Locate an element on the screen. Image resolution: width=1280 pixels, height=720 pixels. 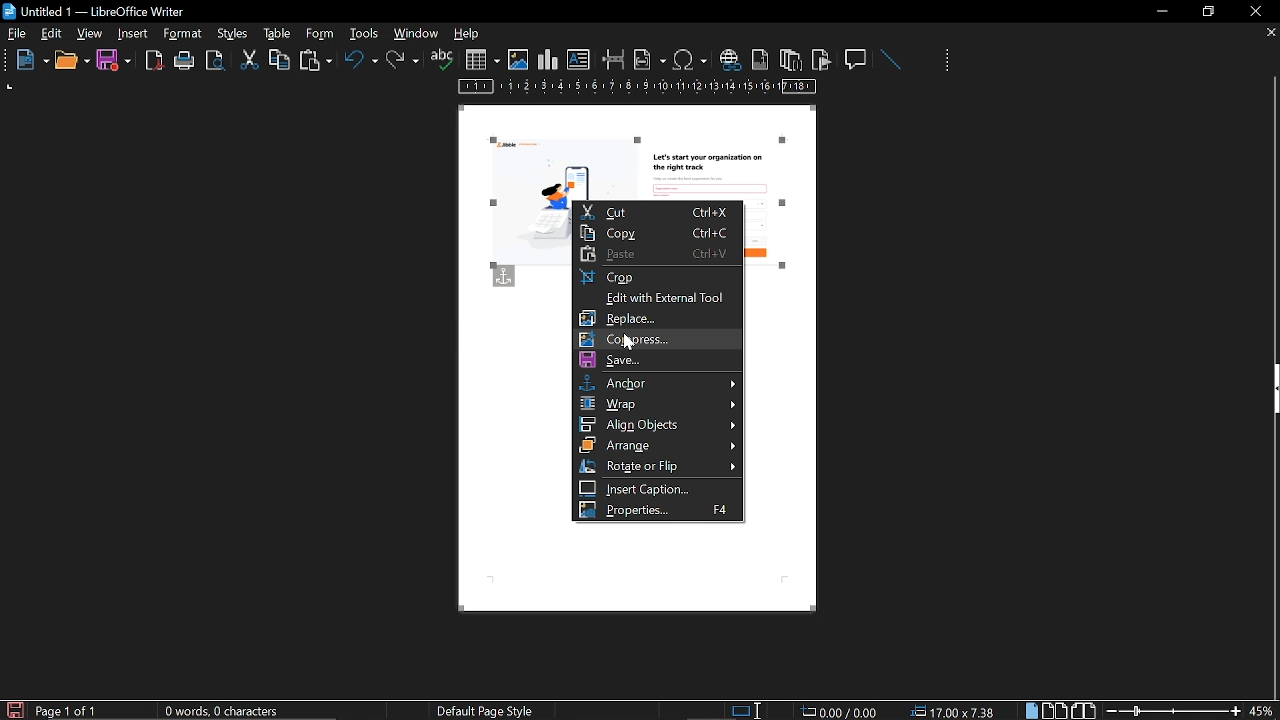
table is located at coordinates (319, 33).